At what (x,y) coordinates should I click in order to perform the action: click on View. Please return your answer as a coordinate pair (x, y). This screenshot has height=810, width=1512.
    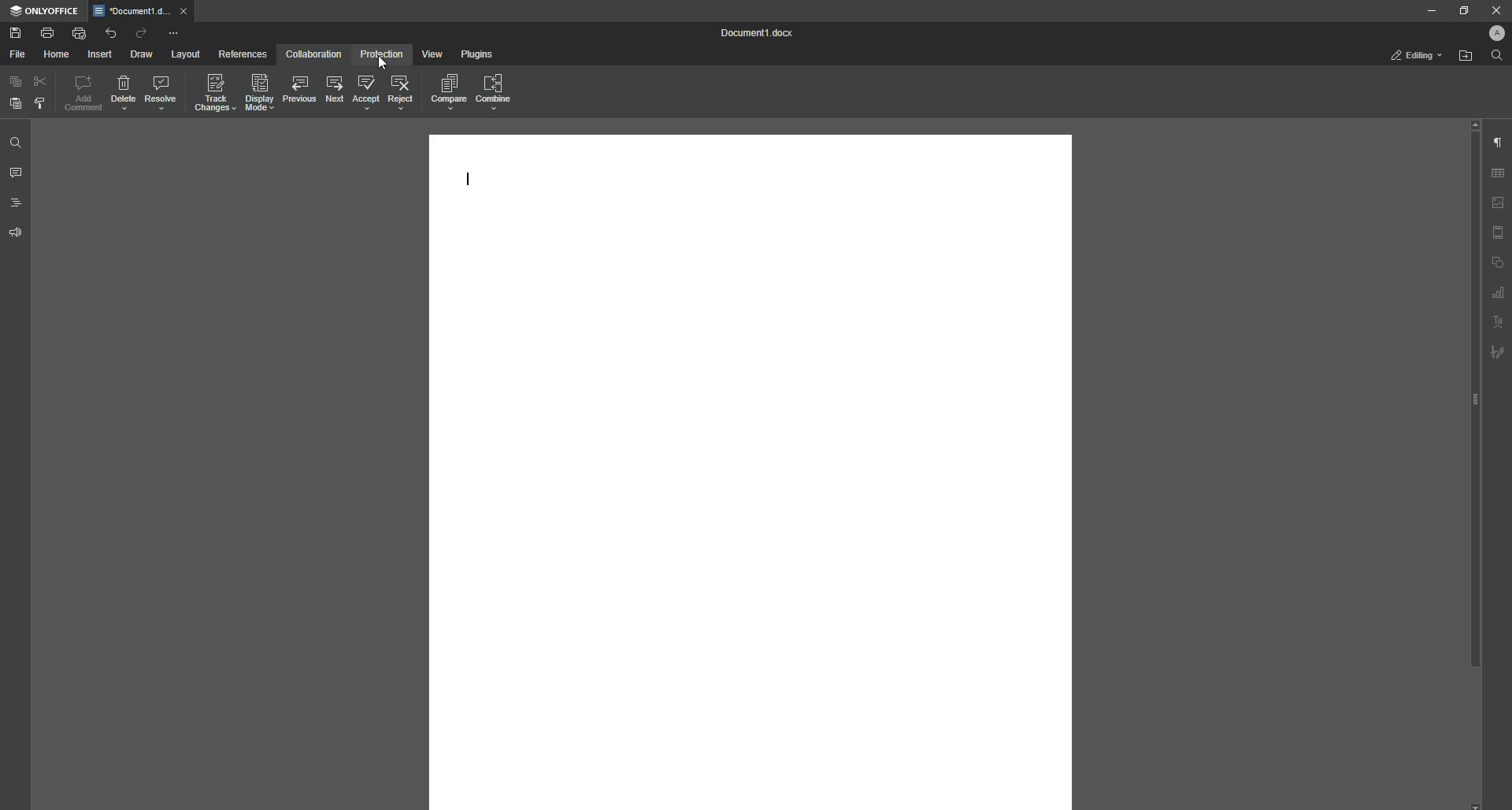
    Looking at the image, I should click on (430, 54).